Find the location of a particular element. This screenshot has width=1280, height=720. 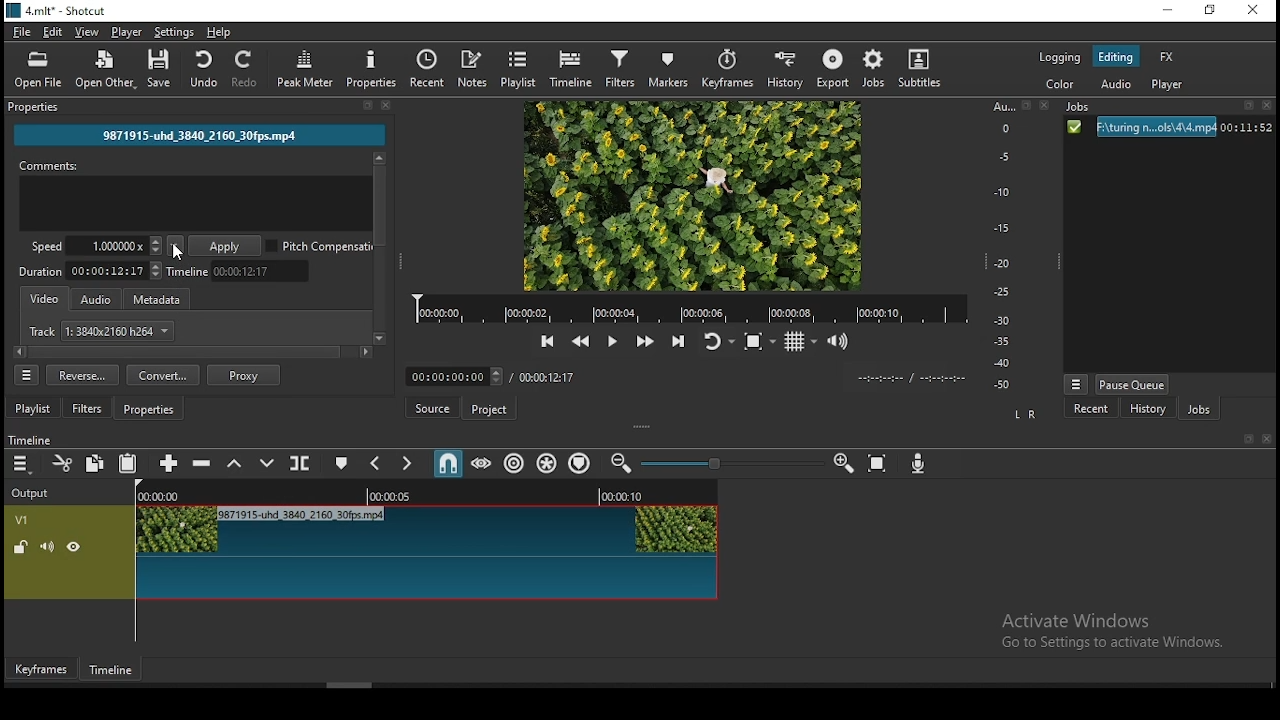

scroll bar is located at coordinates (193, 351).